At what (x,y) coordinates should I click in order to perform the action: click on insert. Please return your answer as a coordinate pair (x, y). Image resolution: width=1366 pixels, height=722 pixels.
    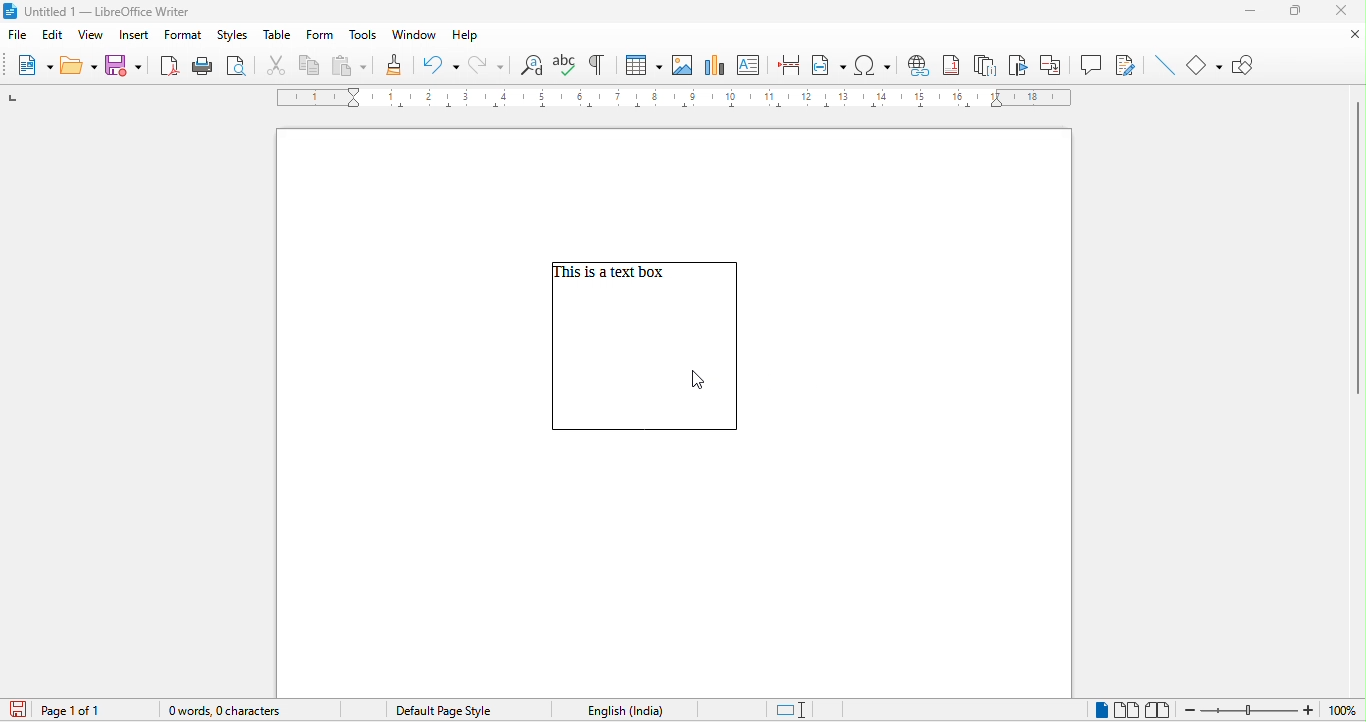
    Looking at the image, I should click on (133, 36).